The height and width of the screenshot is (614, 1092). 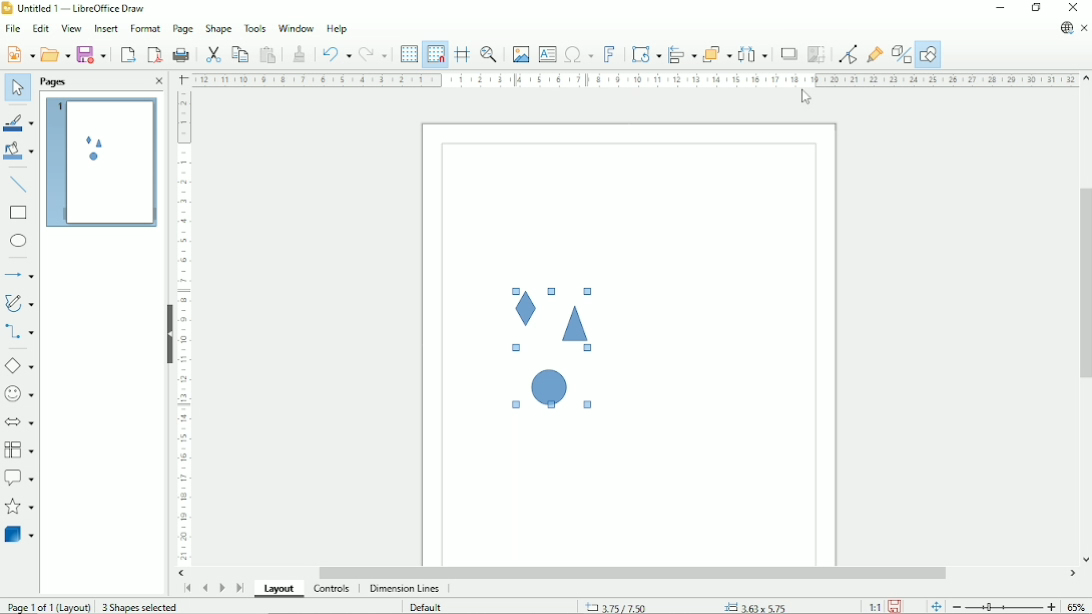 What do you see at coordinates (896, 606) in the screenshot?
I see `Save` at bounding box center [896, 606].